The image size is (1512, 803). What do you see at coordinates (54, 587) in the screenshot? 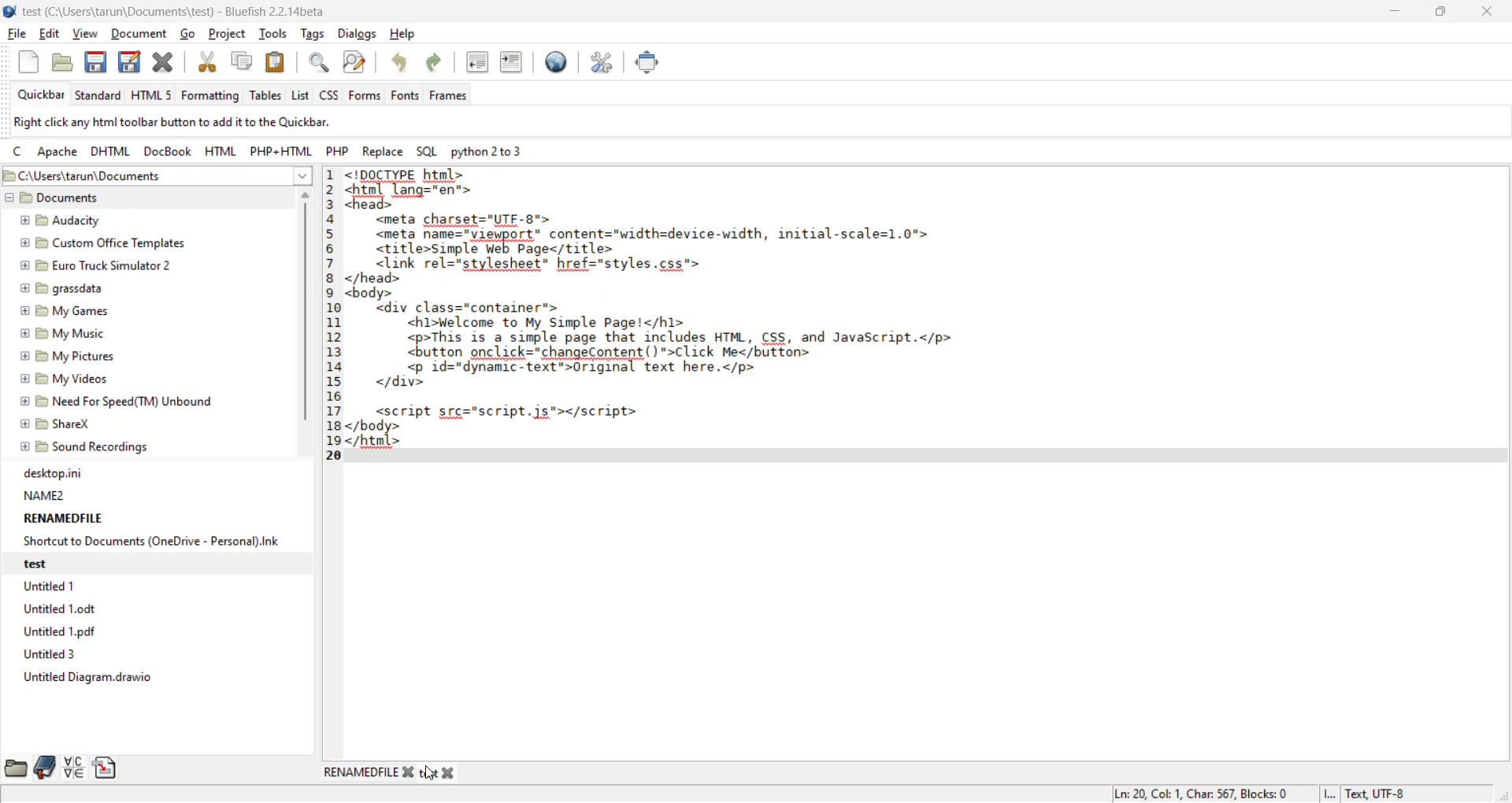
I see `Untitled 1` at bounding box center [54, 587].